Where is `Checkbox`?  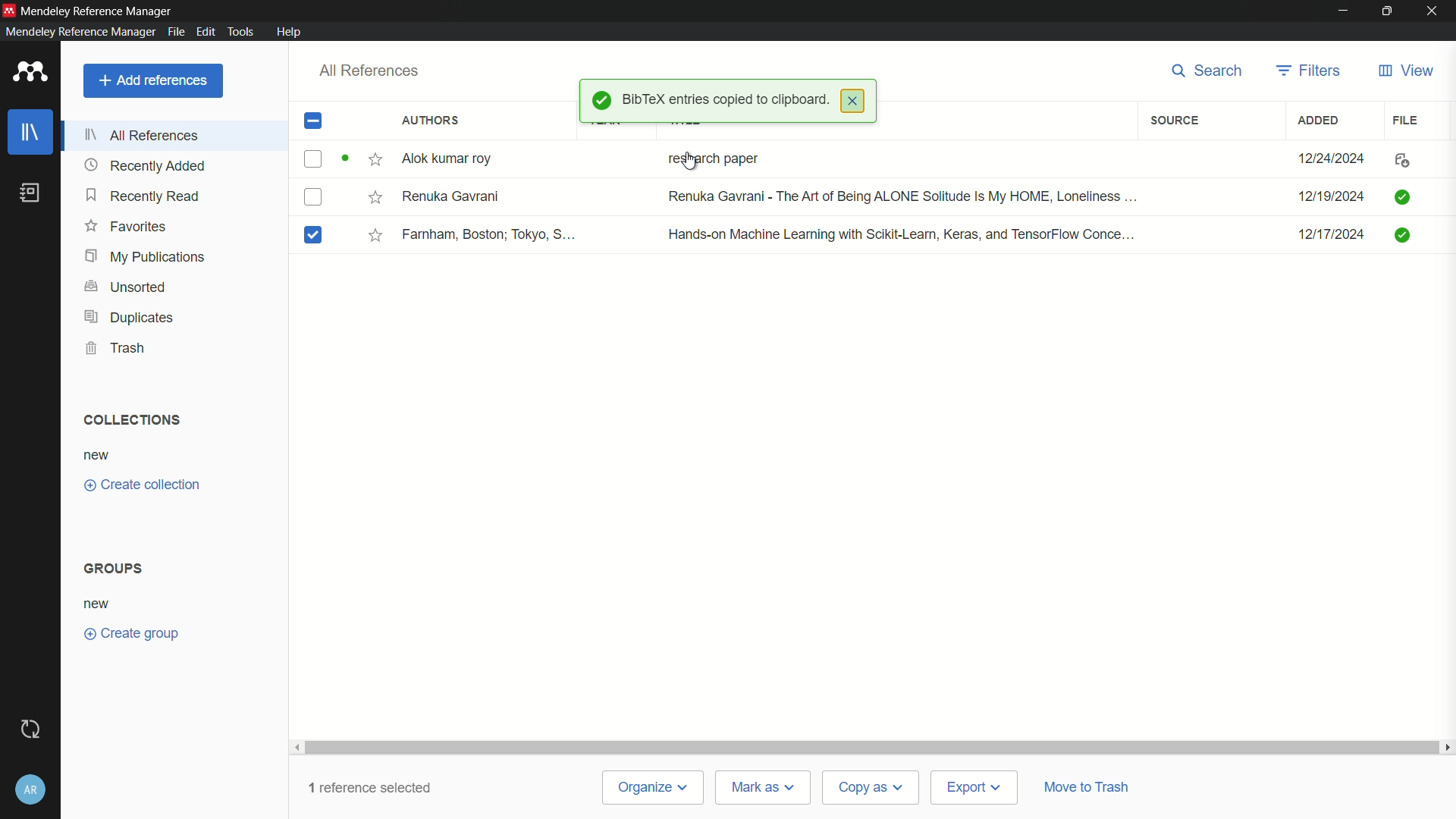 Checkbox is located at coordinates (318, 199).